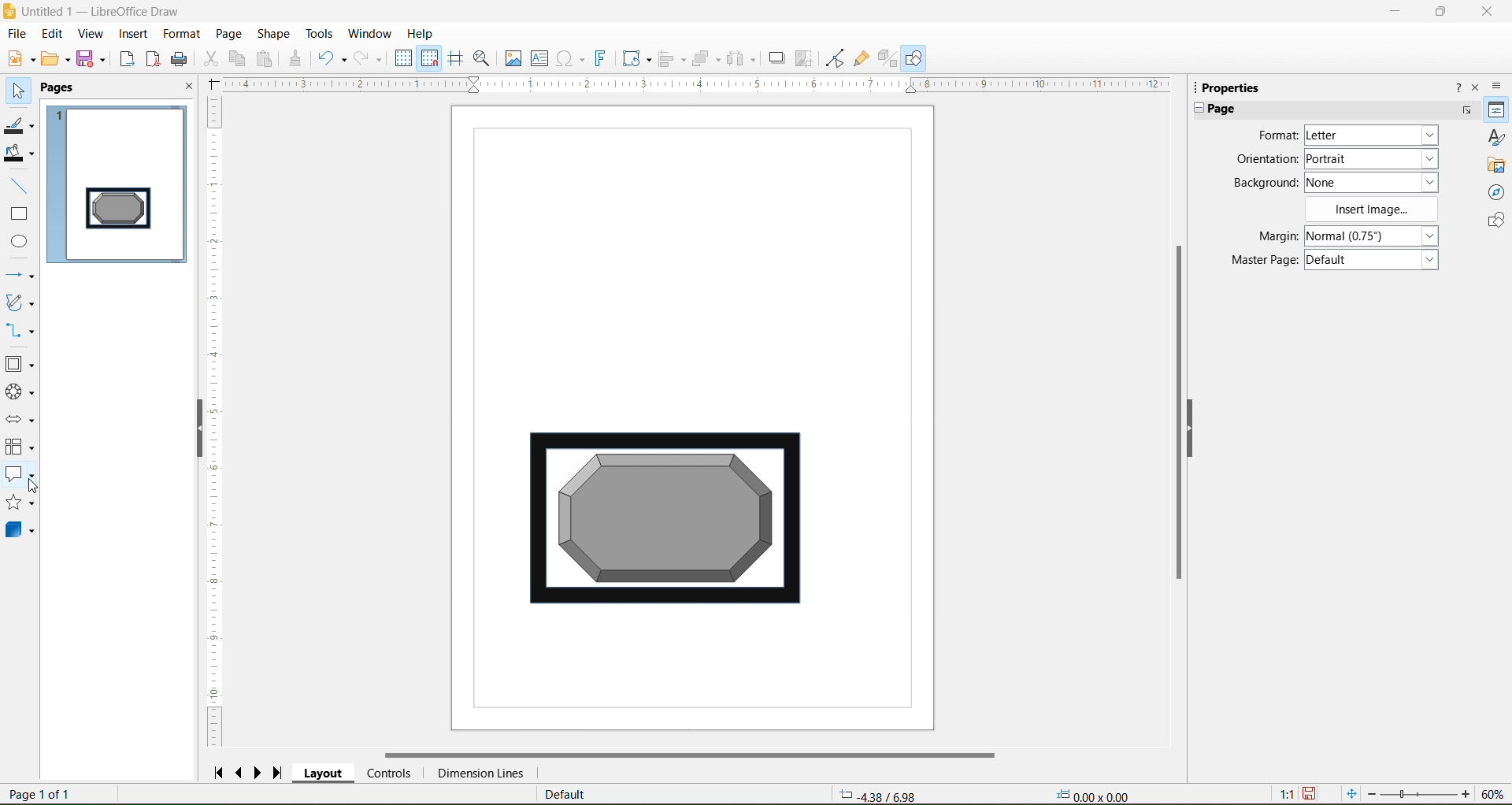 The width and height of the screenshot is (1512, 805). I want to click on 60%, so click(1495, 793).